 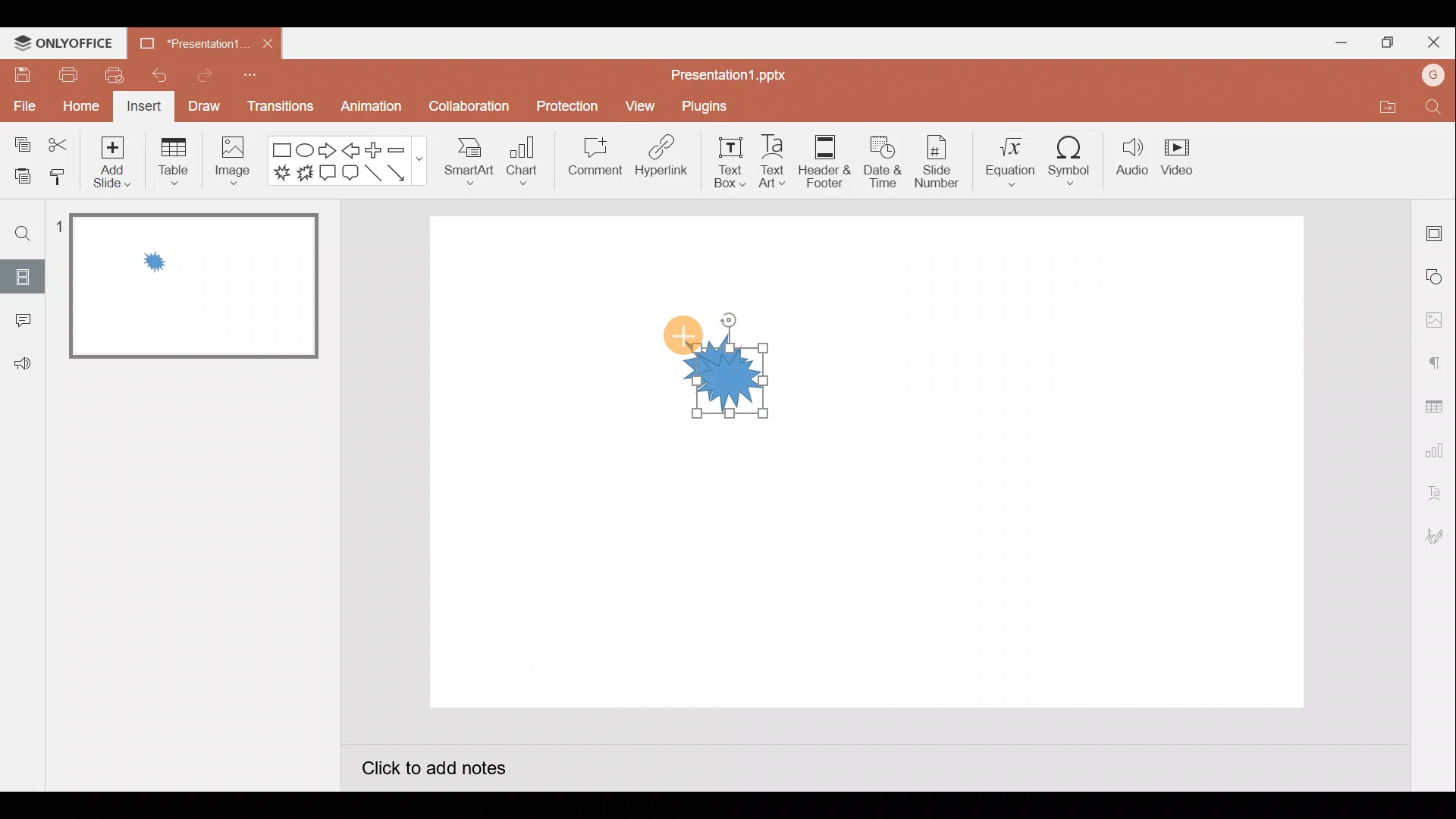 I want to click on Symbol, so click(x=1071, y=161).